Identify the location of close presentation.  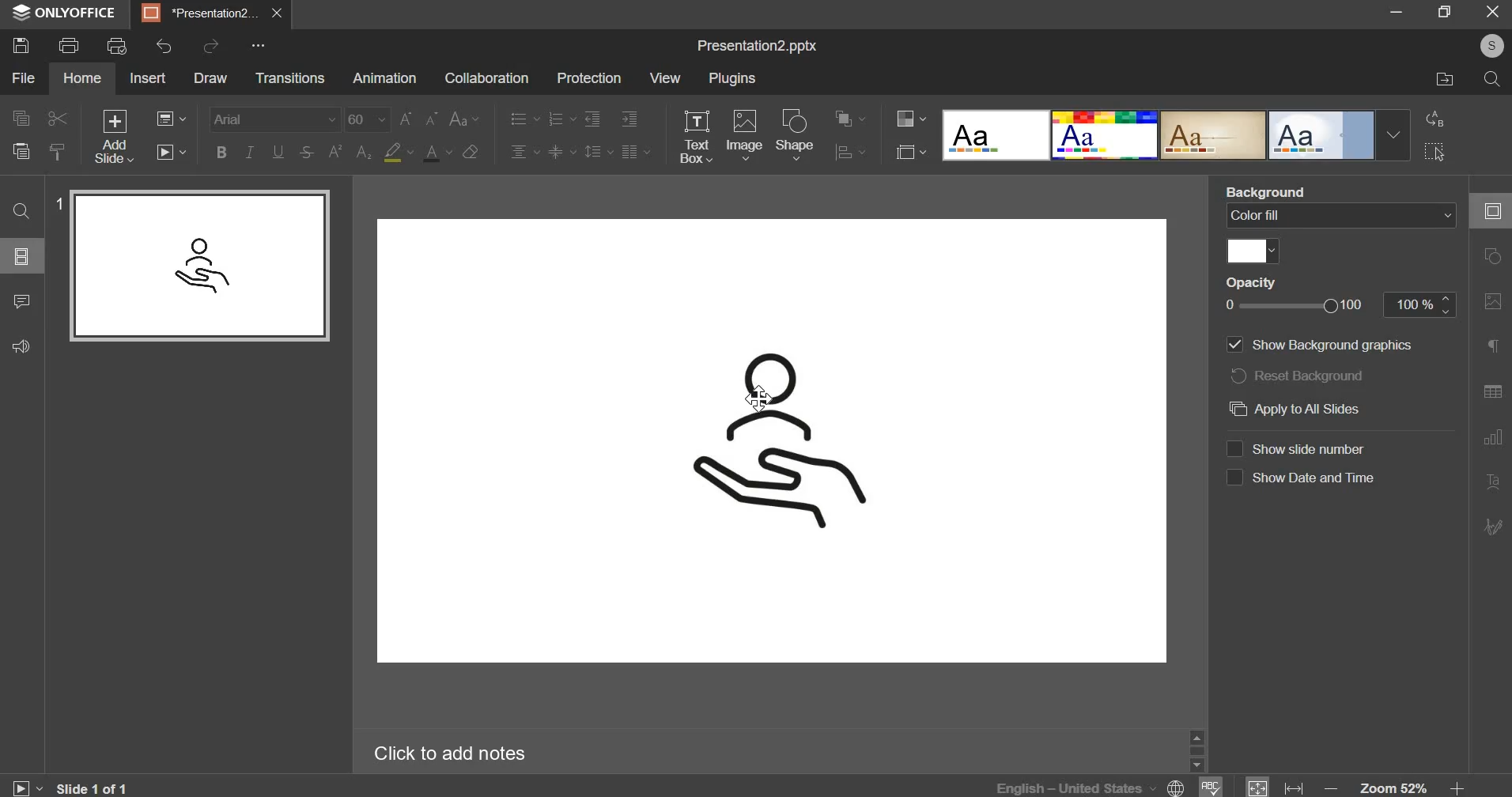
(278, 13).